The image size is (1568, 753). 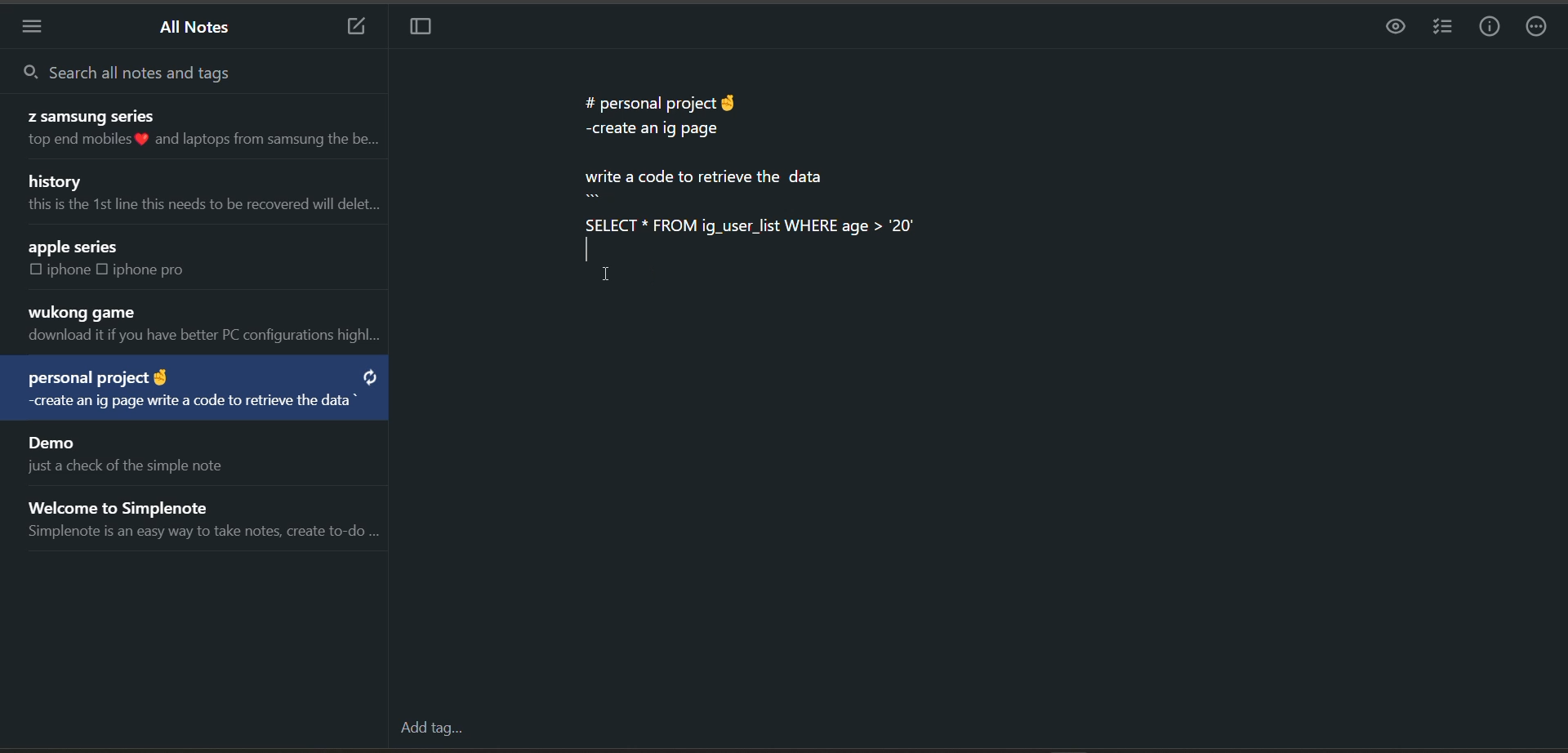 What do you see at coordinates (348, 28) in the screenshot?
I see `add new note` at bounding box center [348, 28].